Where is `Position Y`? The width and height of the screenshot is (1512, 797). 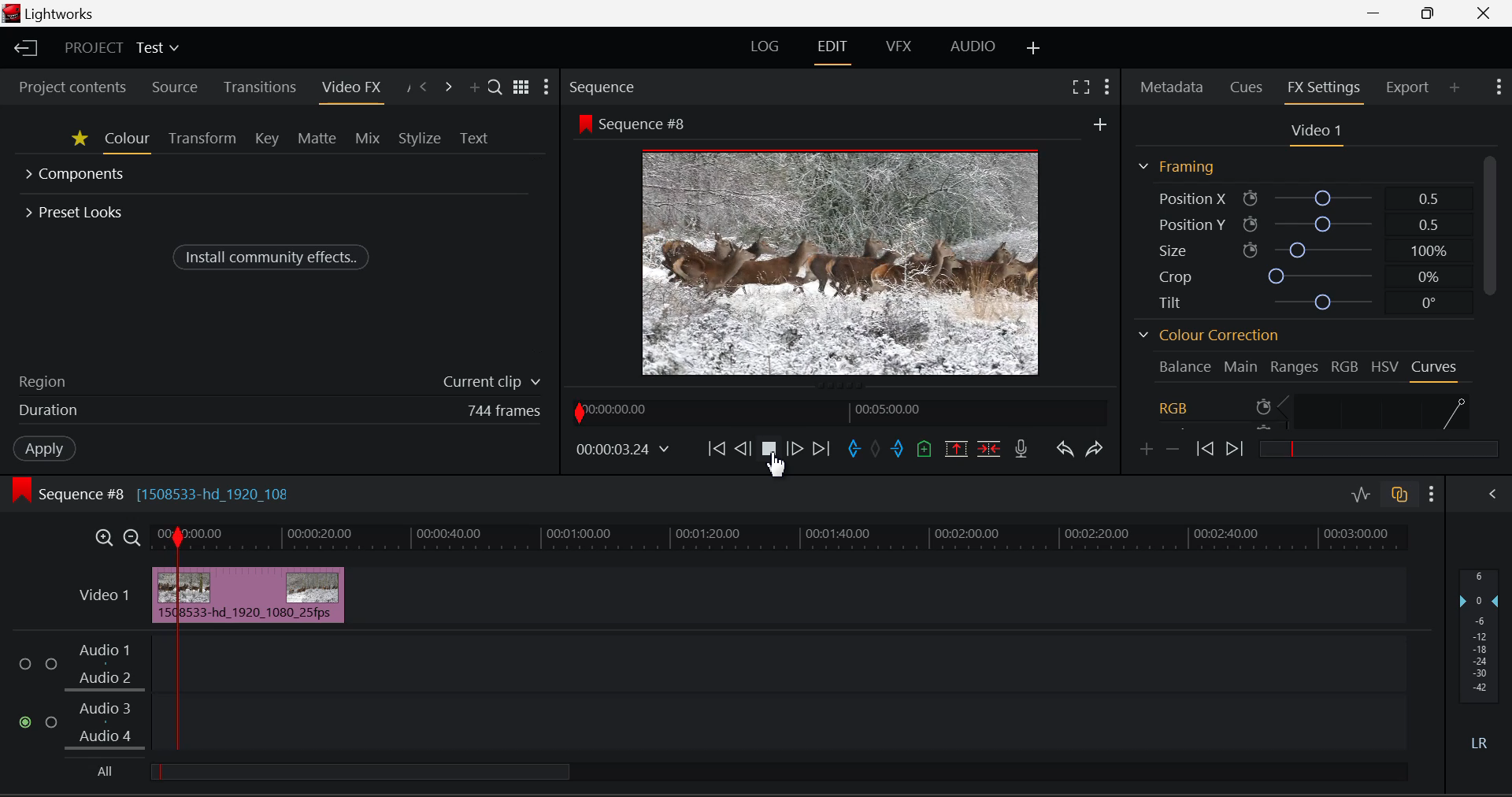
Position Y is located at coordinates (1300, 223).